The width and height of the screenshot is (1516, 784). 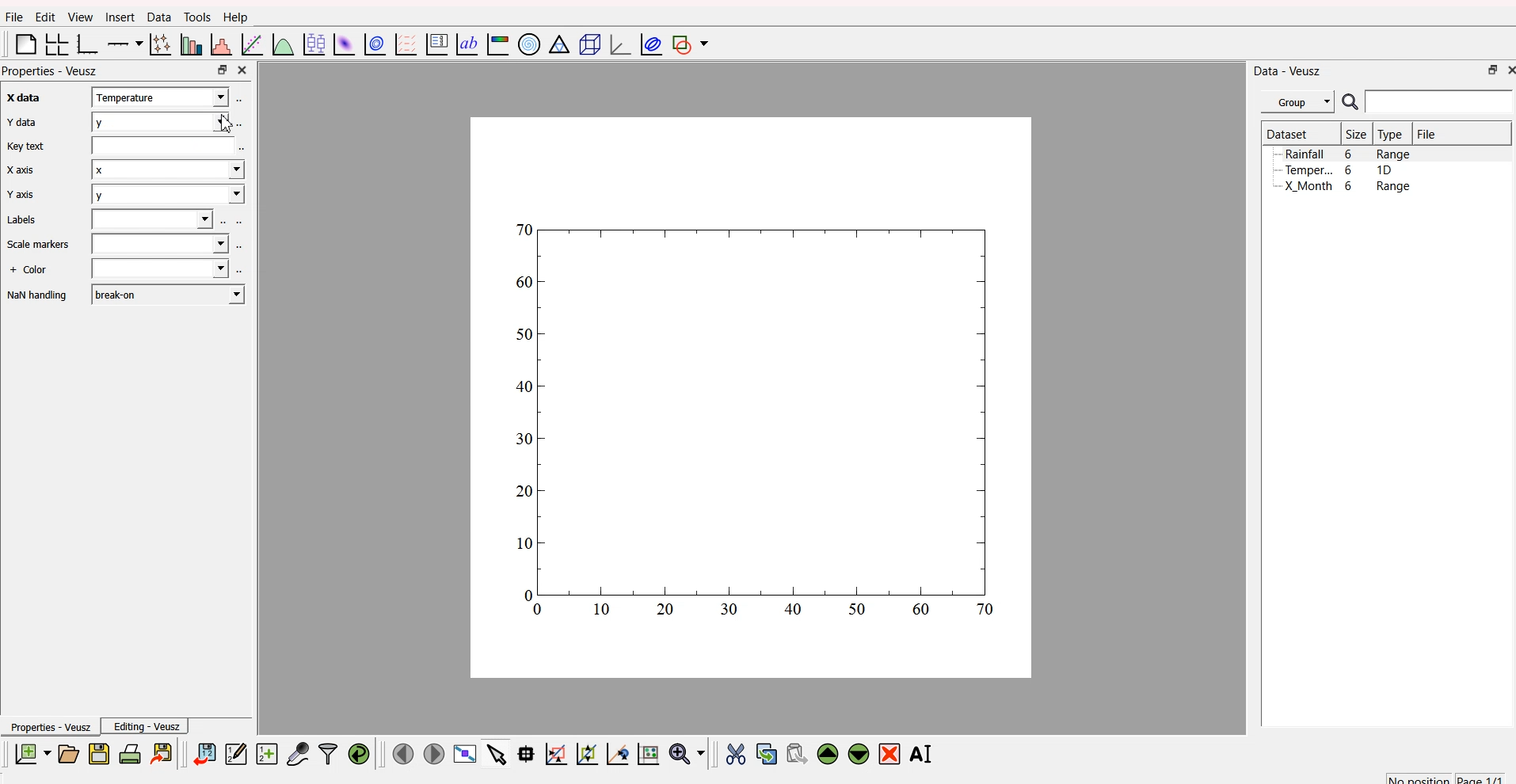 I want to click on Help, so click(x=235, y=17).